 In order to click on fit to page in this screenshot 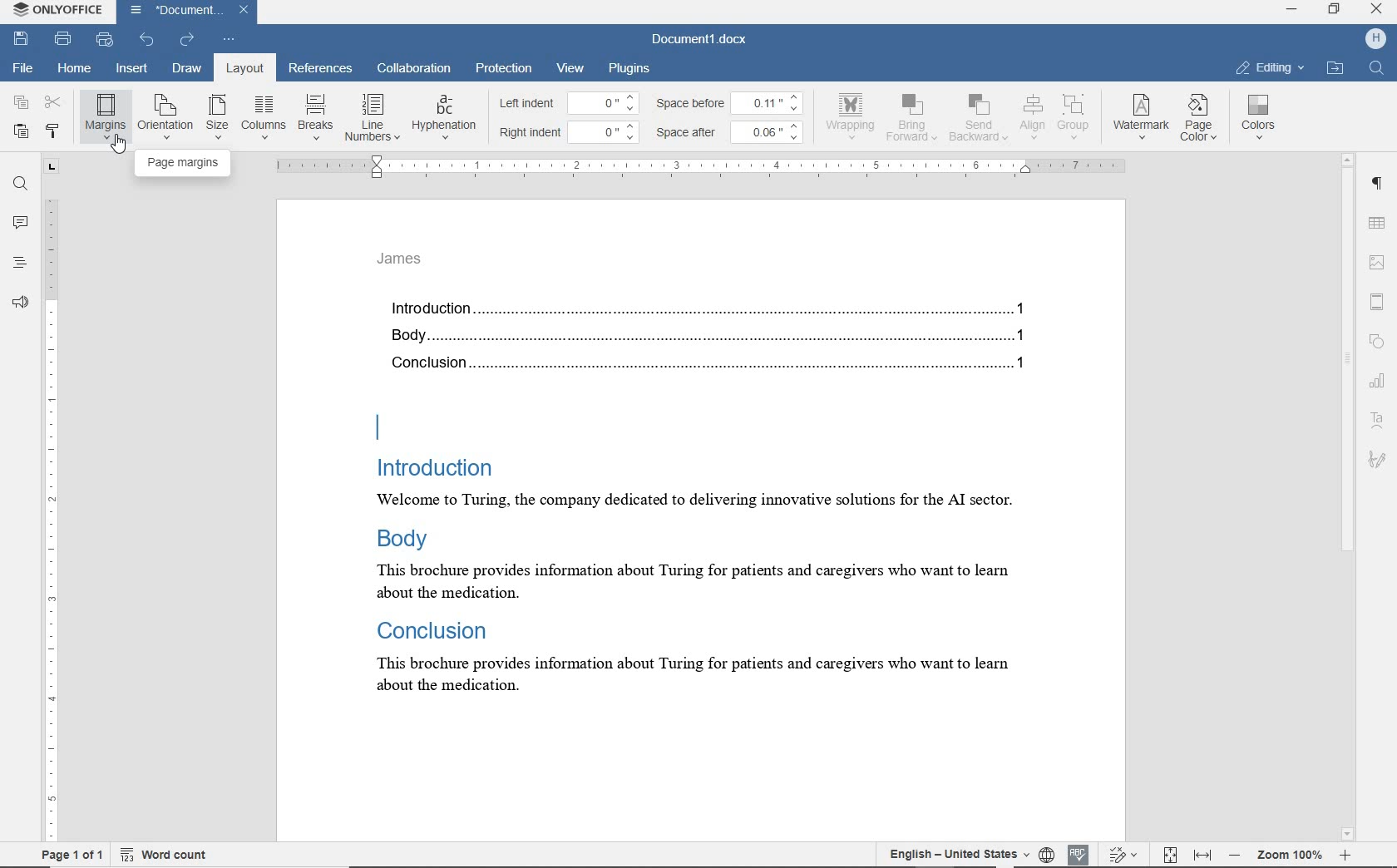, I will do `click(1169, 853)`.